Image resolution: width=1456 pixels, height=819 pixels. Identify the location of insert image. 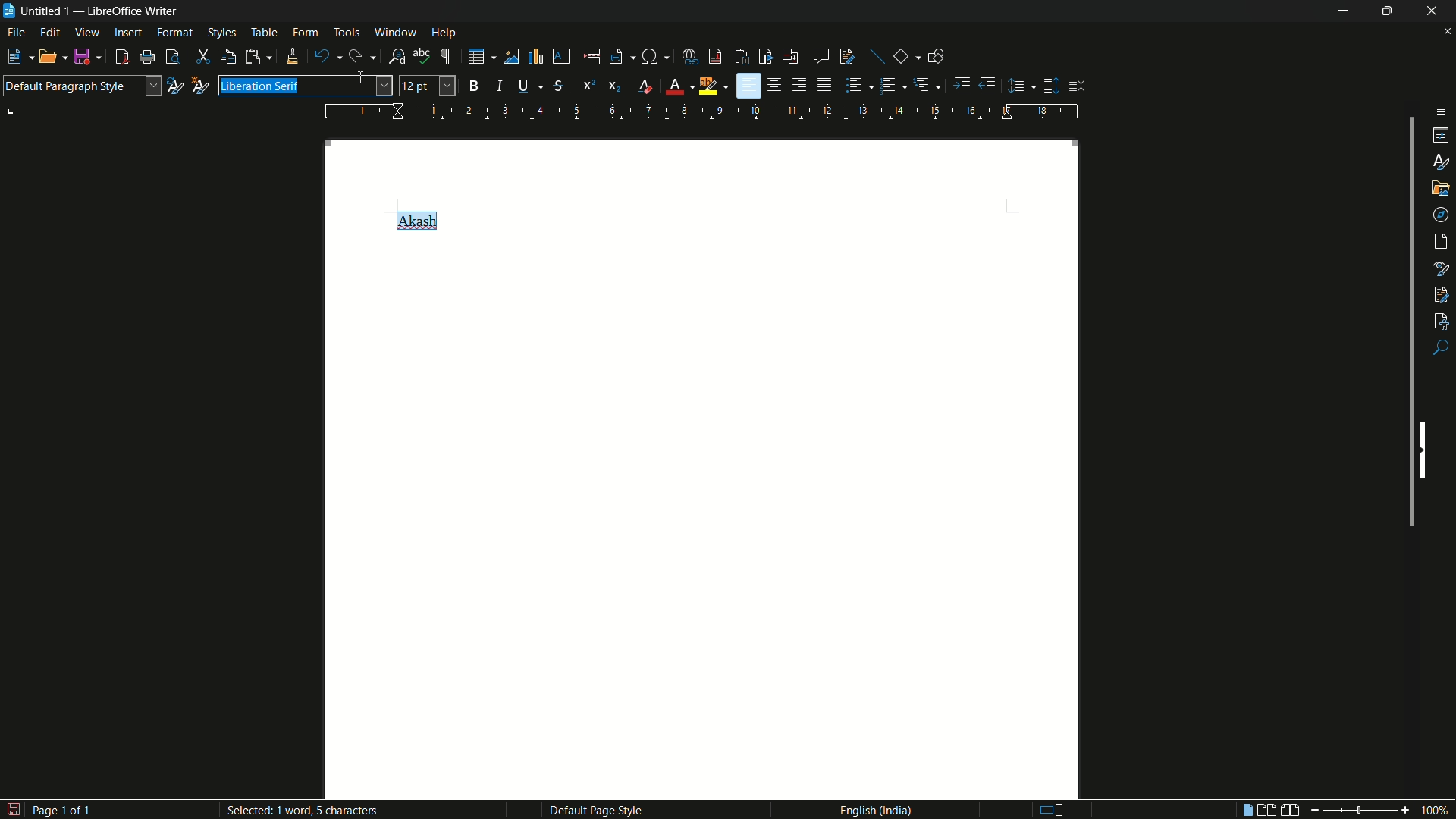
(511, 57).